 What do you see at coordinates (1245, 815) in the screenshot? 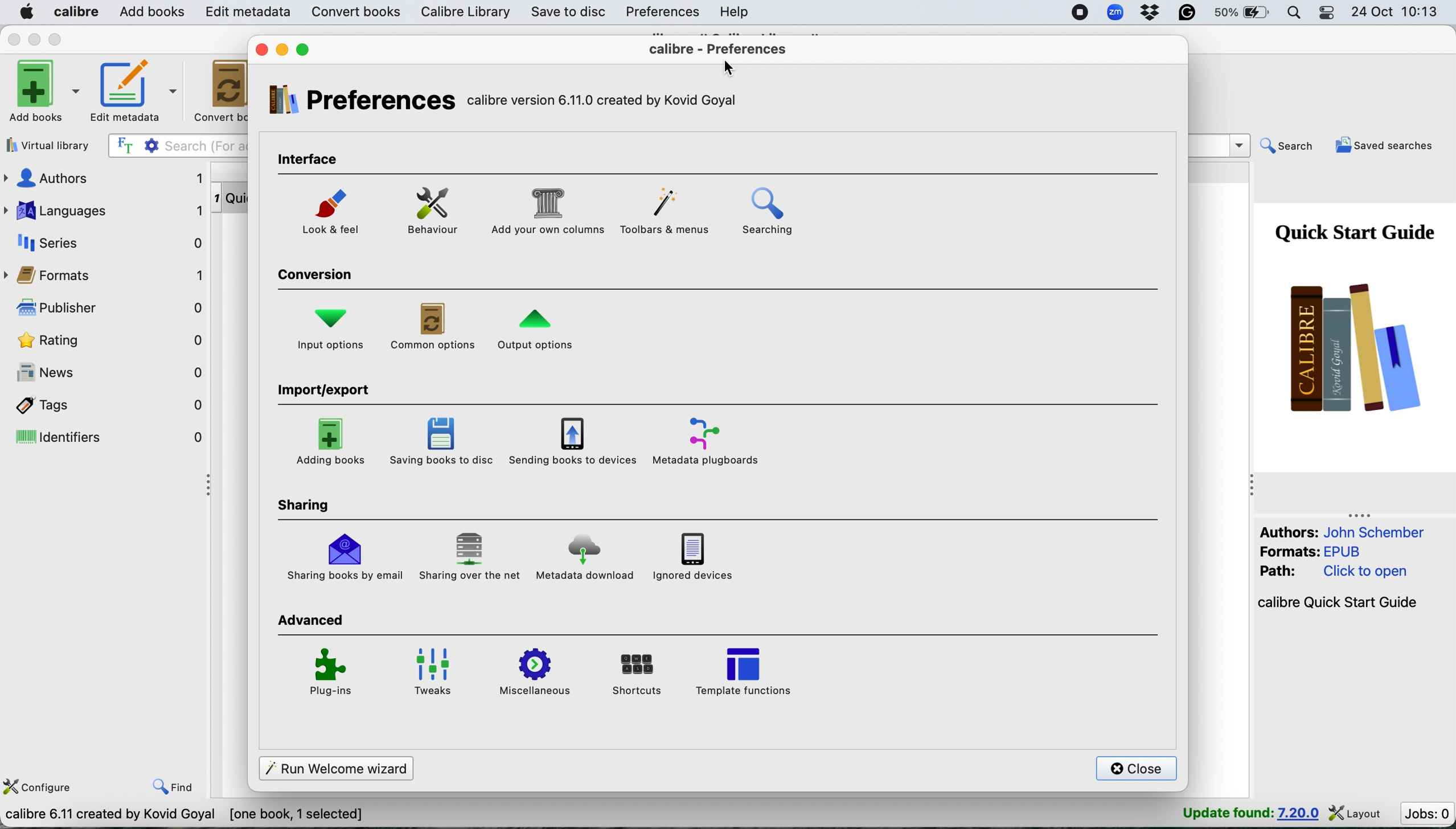
I see `update found : 7.20.0` at bounding box center [1245, 815].